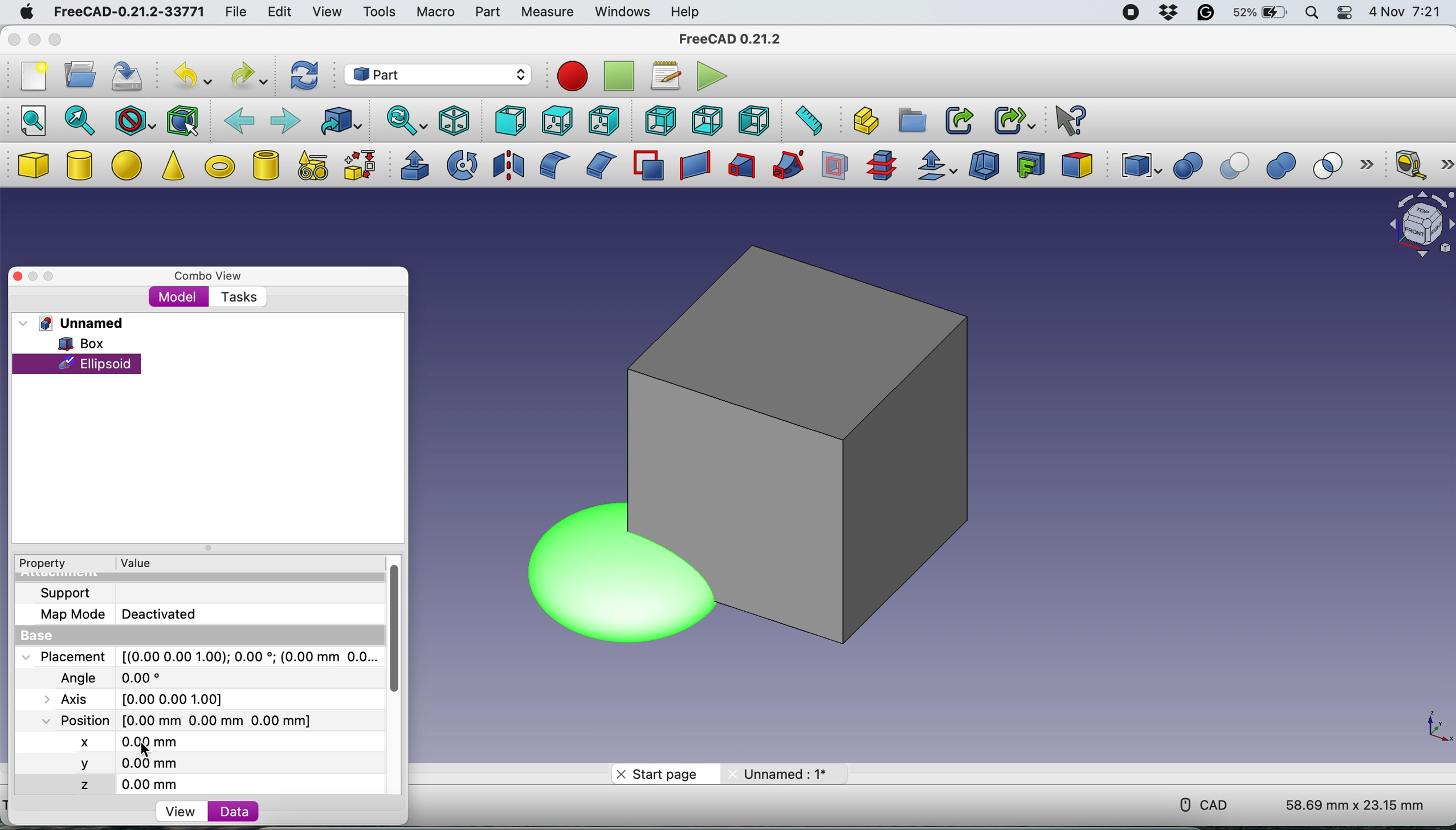 Image resolution: width=1456 pixels, height=830 pixels. What do you see at coordinates (1409, 164) in the screenshot?
I see `measure linear` at bounding box center [1409, 164].